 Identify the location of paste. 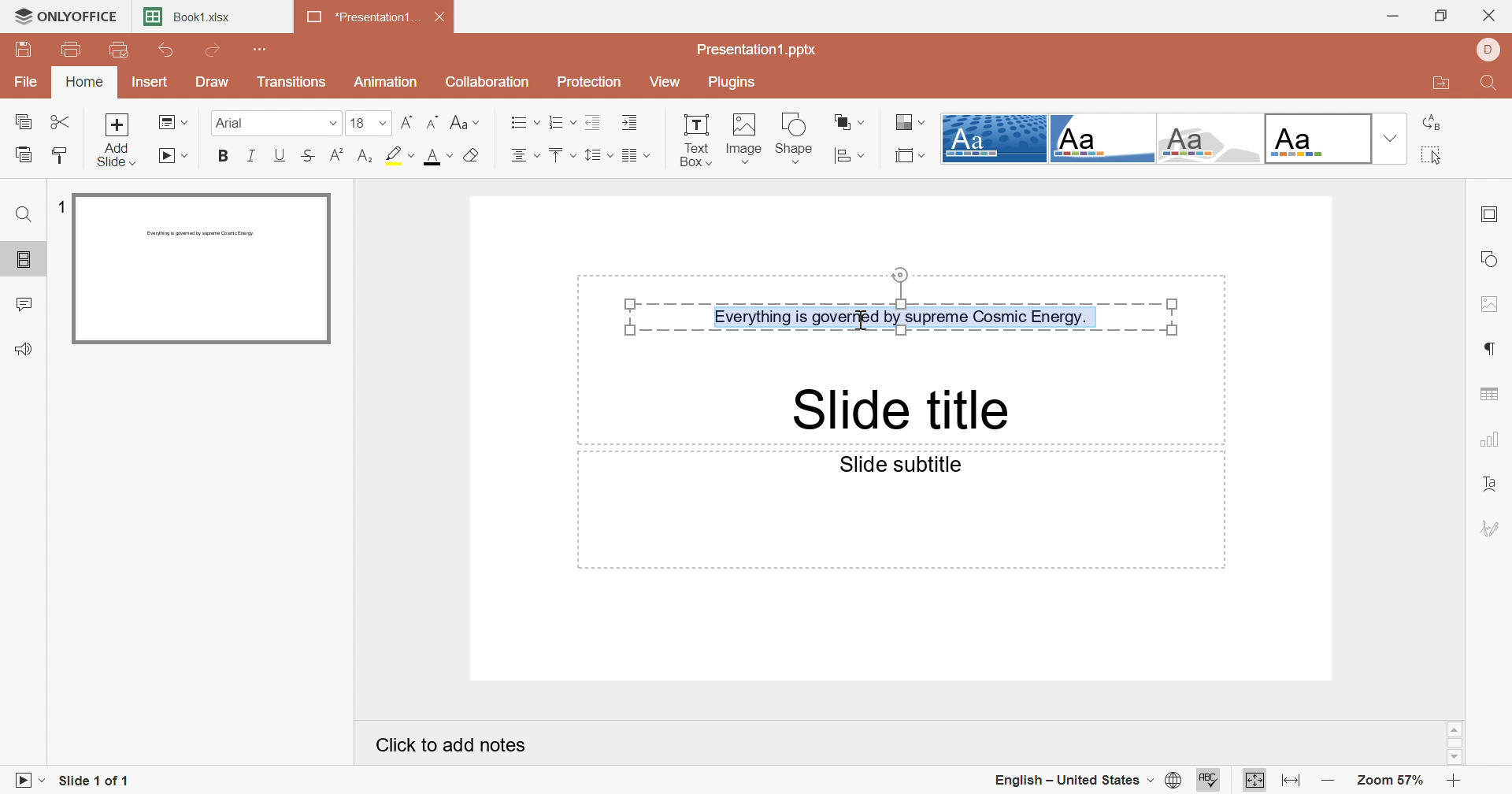
(24, 154).